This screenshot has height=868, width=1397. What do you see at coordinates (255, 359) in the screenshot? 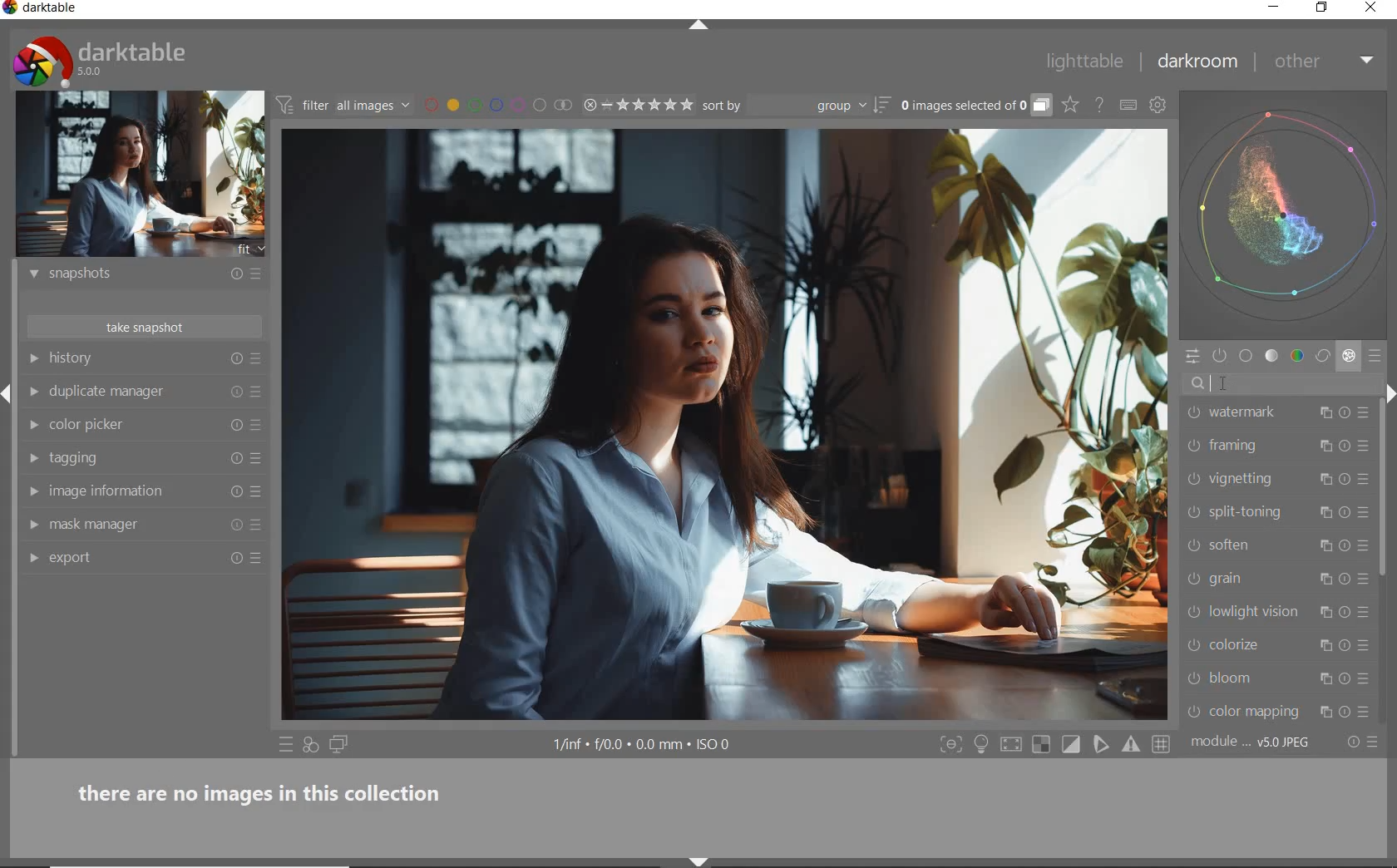
I see `presets and preferences` at bounding box center [255, 359].